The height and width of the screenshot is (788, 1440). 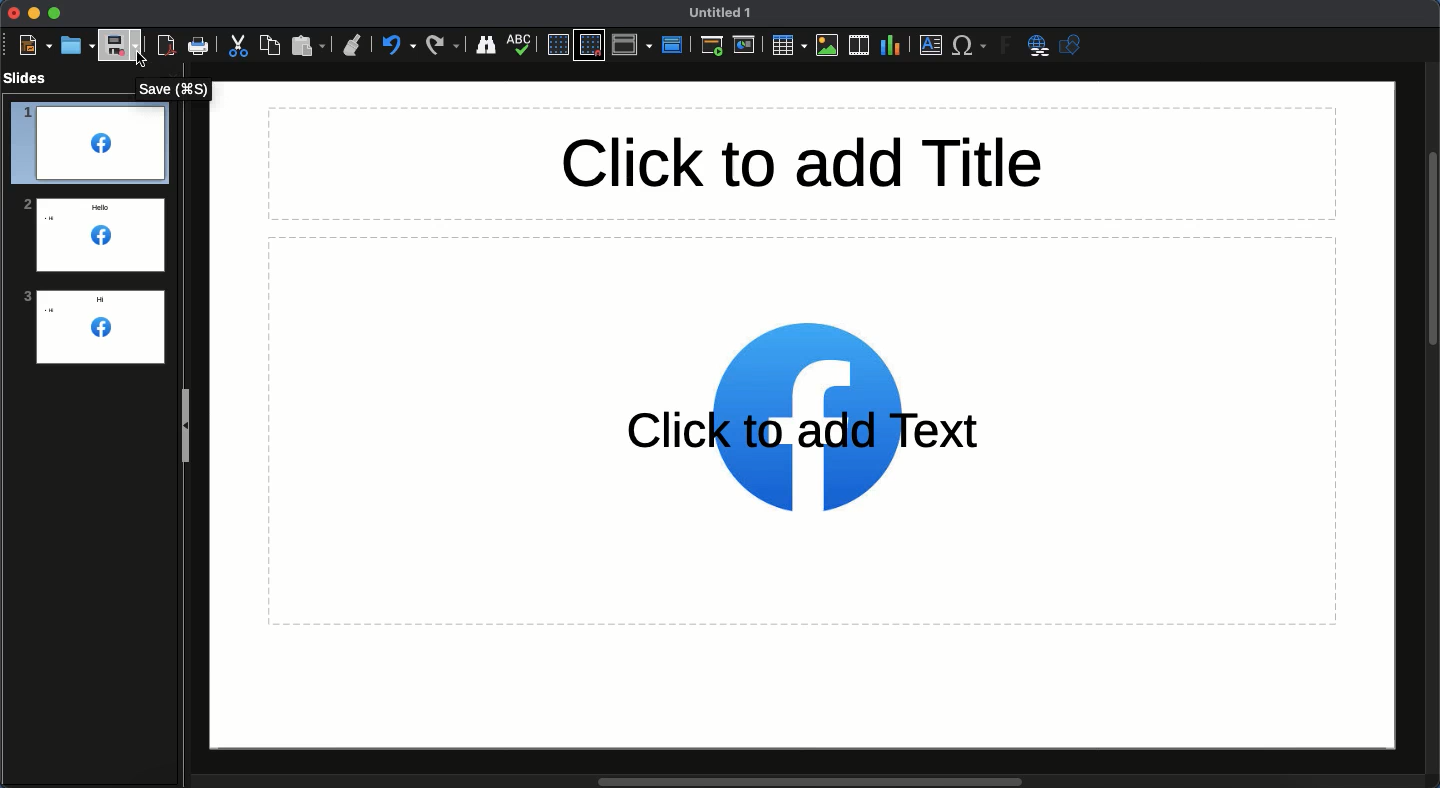 What do you see at coordinates (1074, 45) in the screenshot?
I see `Shapres` at bounding box center [1074, 45].